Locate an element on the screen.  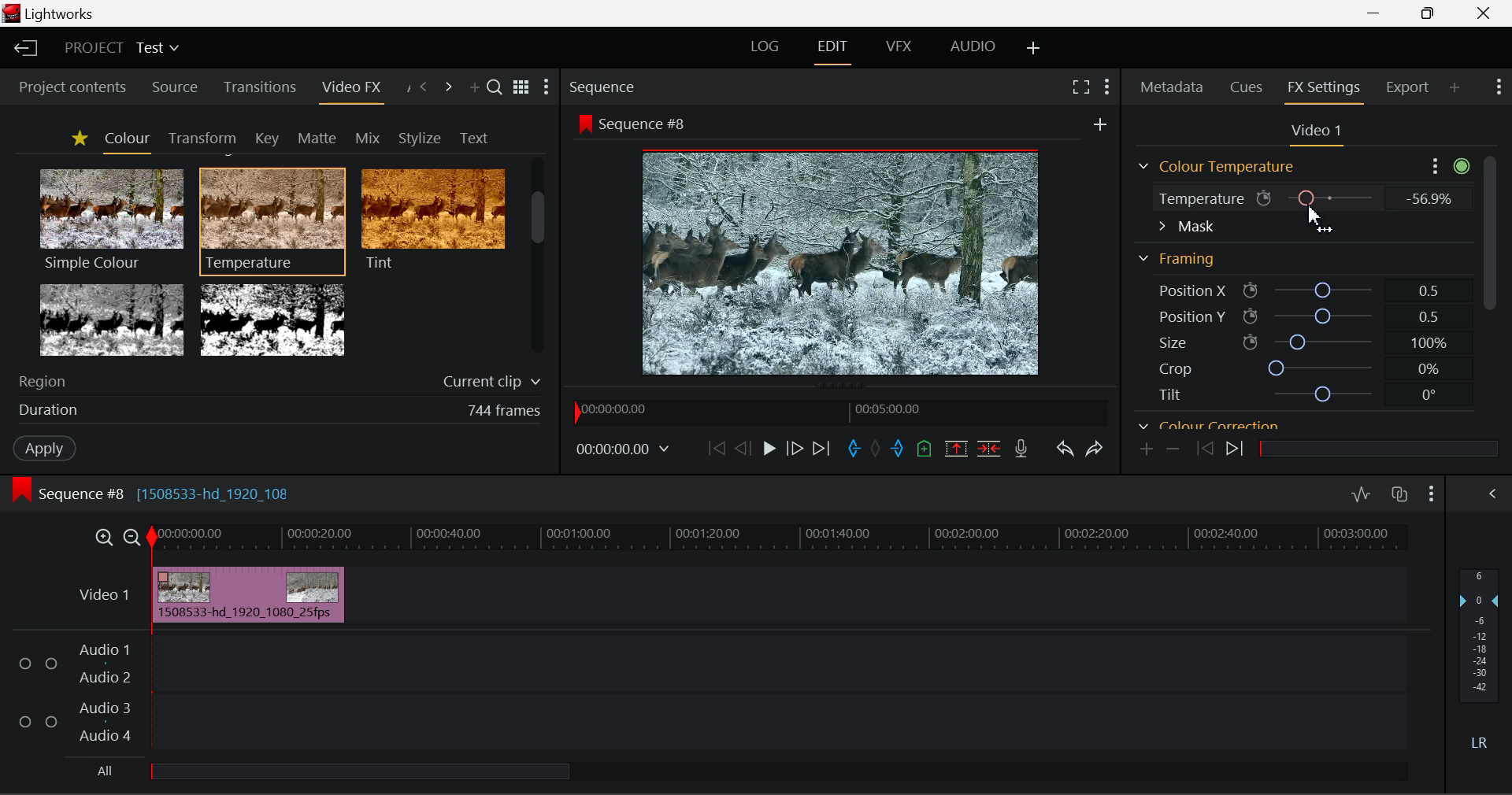
icon is located at coordinates (1251, 316).